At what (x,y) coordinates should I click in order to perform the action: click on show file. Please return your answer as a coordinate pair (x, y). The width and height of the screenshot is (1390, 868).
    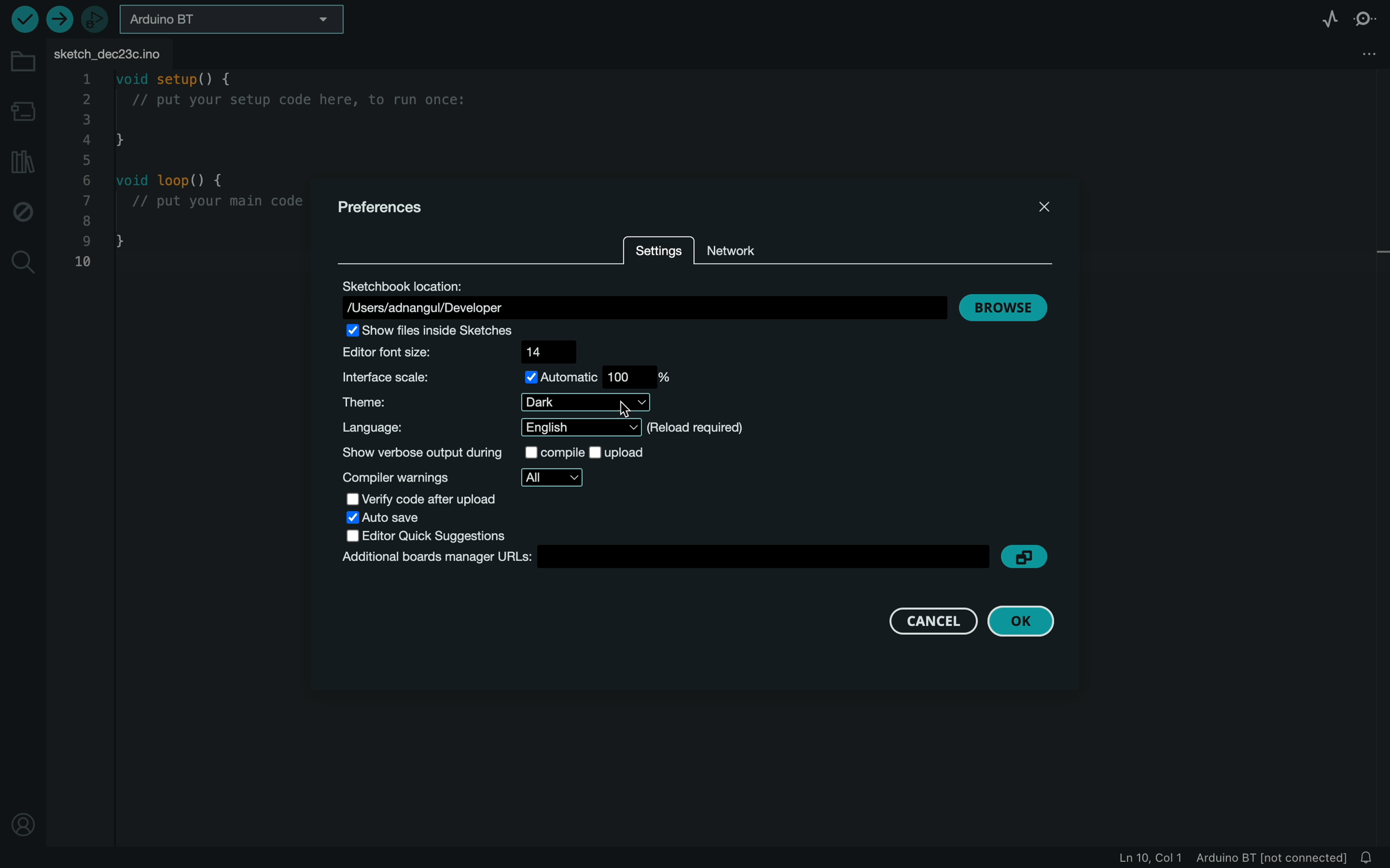
    Looking at the image, I should click on (445, 331).